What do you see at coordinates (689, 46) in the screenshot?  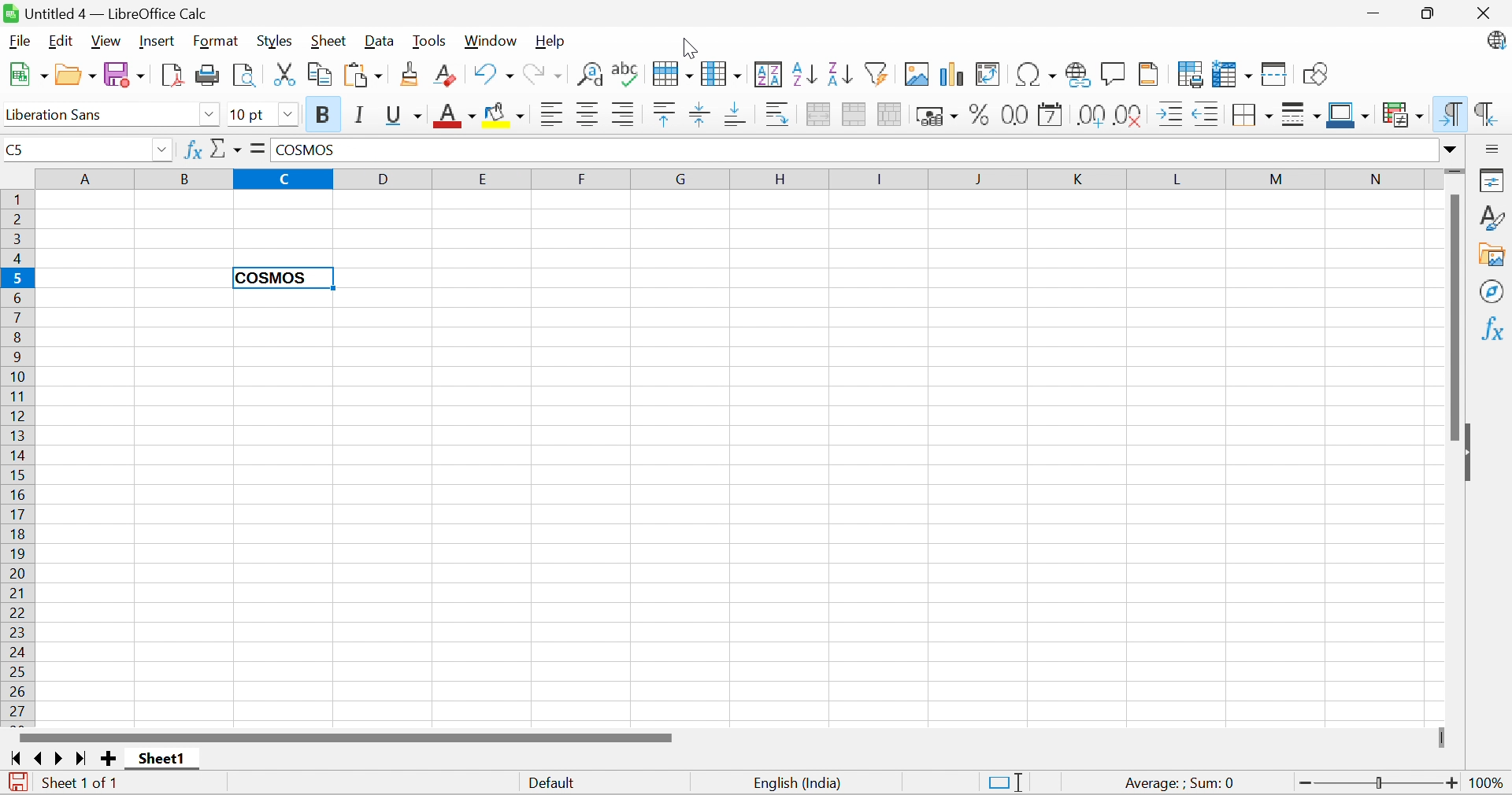 I see `Cursor` at bounding box center [689, 46].